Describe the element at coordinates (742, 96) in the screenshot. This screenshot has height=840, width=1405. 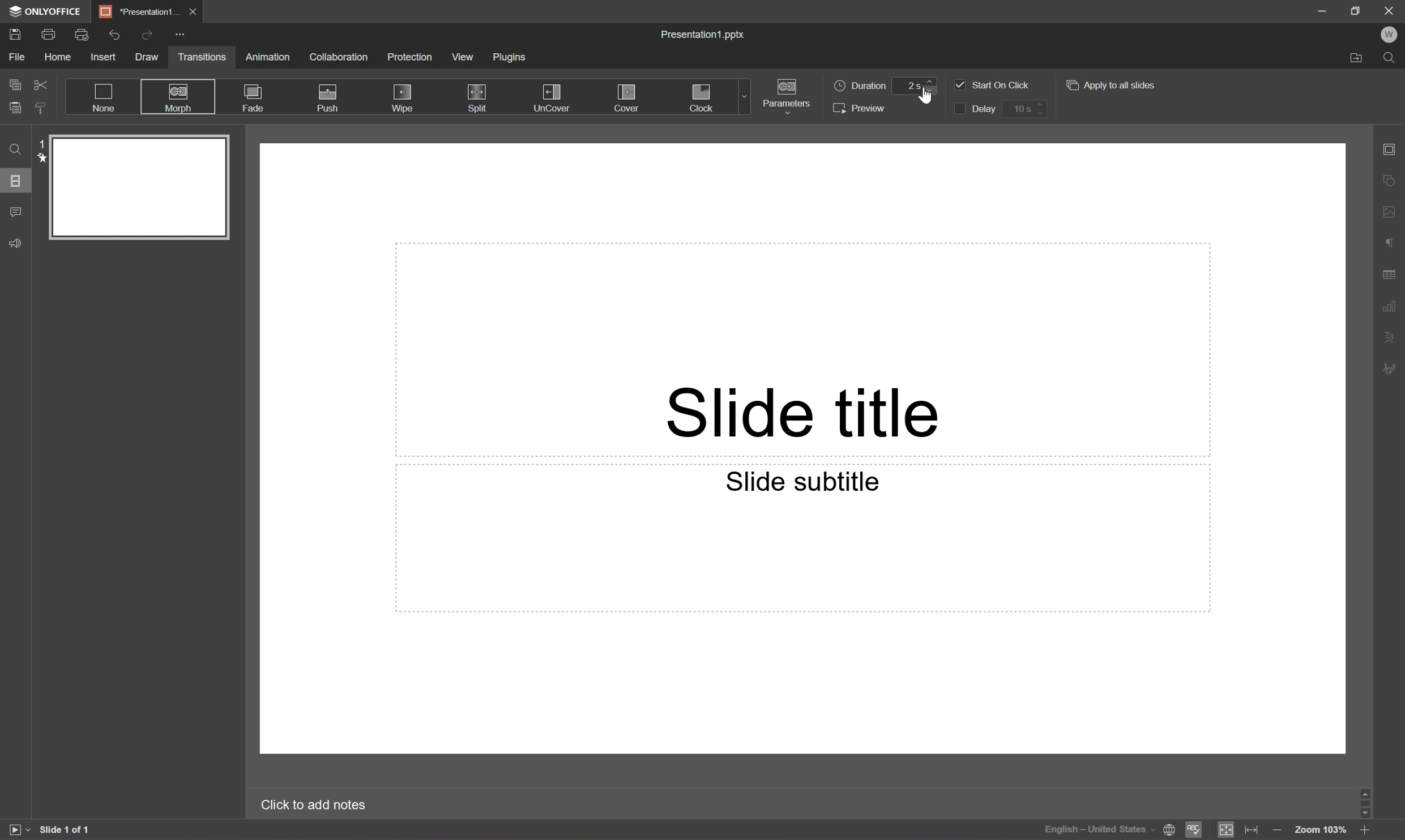
I see `Drop Down` at that location.